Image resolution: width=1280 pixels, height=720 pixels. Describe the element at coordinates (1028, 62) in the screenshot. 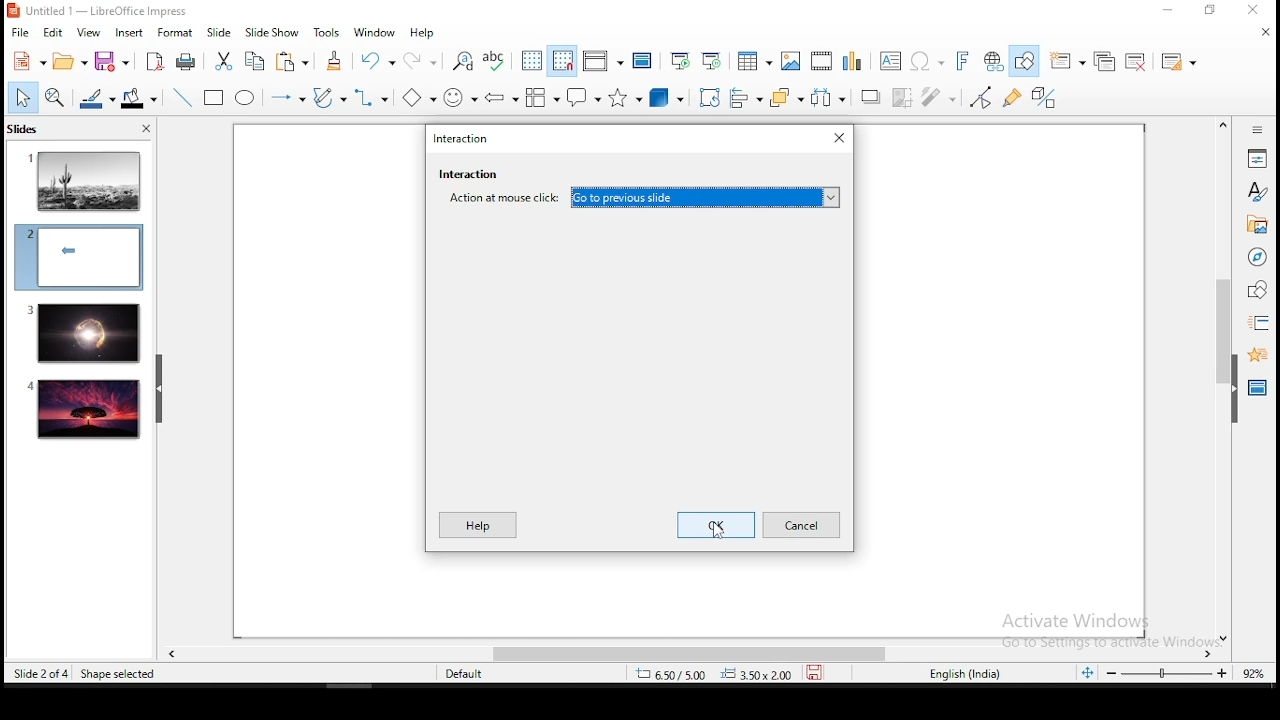

I see `show draw functions` at that location.